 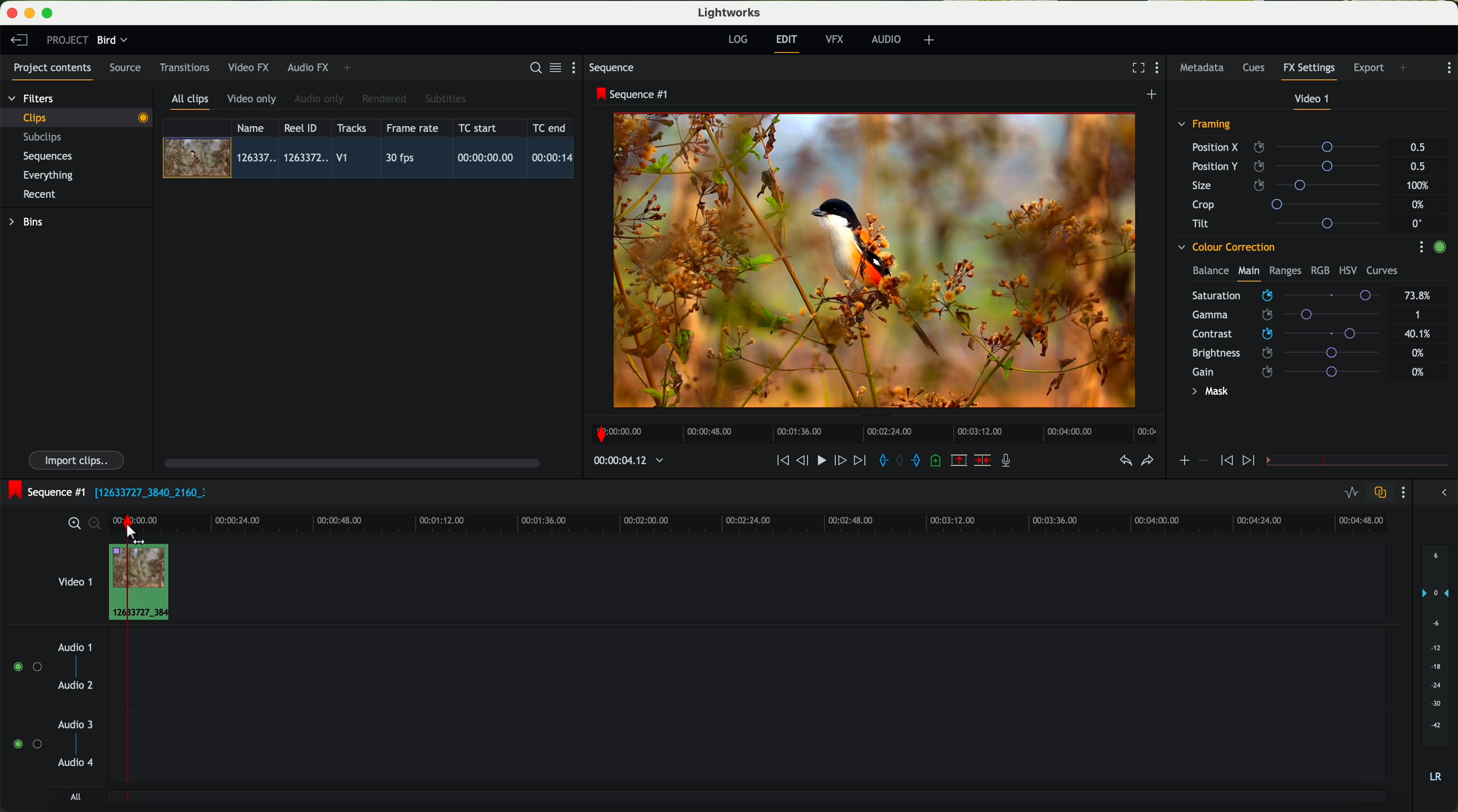 What do you see at coordinates (1382, 271) in the screenshot?
I see `curves` at bounding box center [1382, 271].